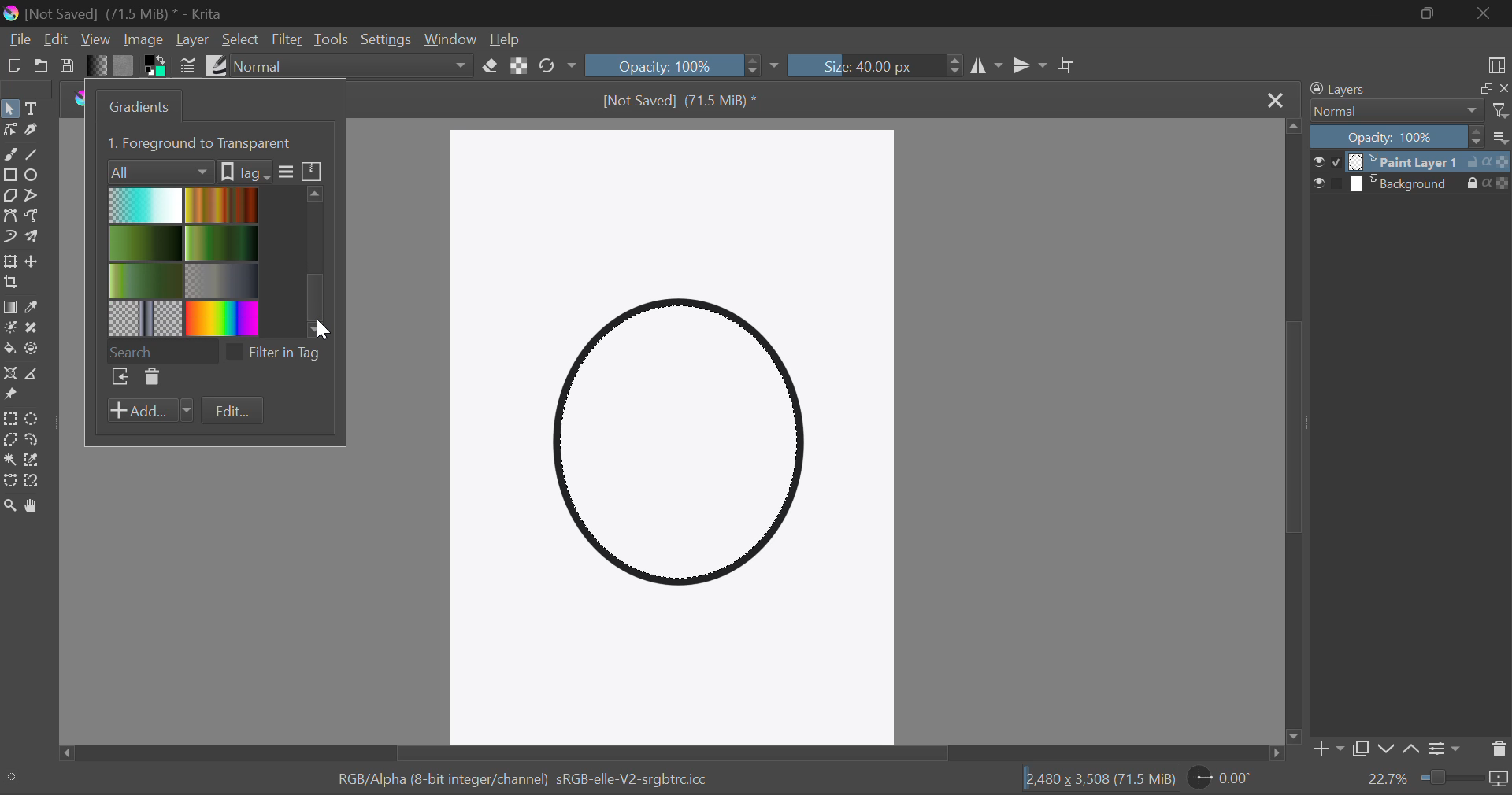 Image resolution: width=1512 pixels, height=795 pixels. Describe the element at coordinates (156, 67) in the screenshot. I see `Colors in use` at that location.